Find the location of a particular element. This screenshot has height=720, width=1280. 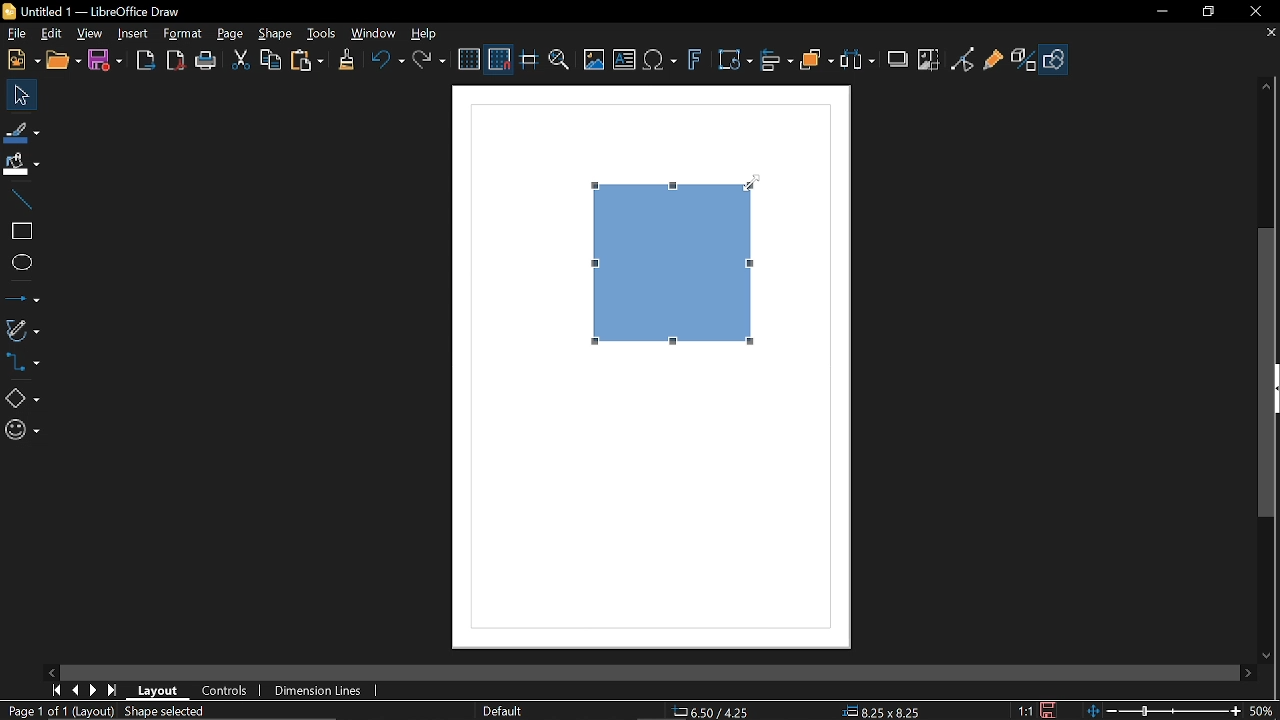

View is located at coordinates (91, 33).